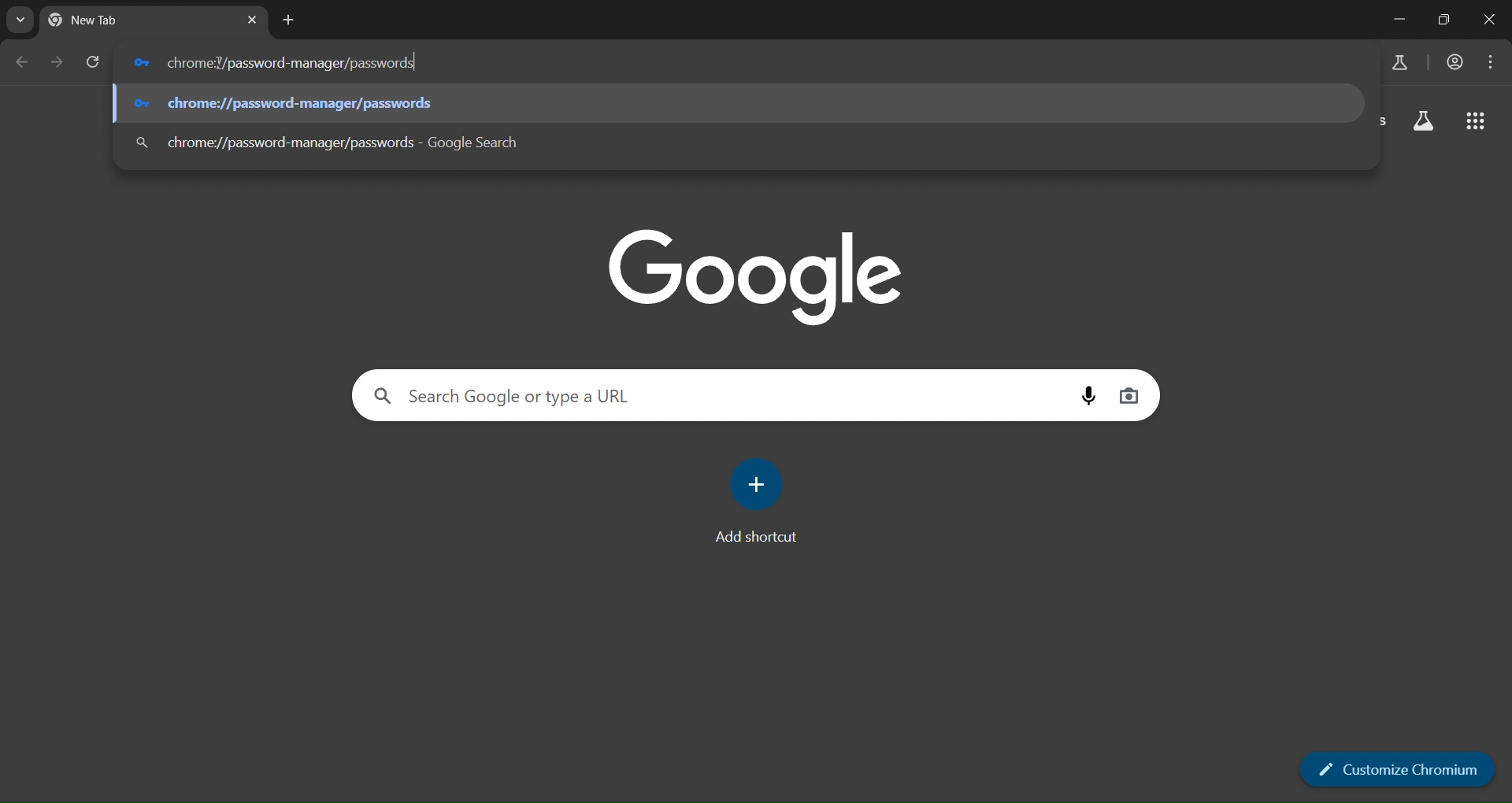 This screenshot has width=1512, height=803. What do you see at coordinates (294, 101) in the screenshot?
I see `chrome://password-manager/passwords` at bounding box center [294, 101].